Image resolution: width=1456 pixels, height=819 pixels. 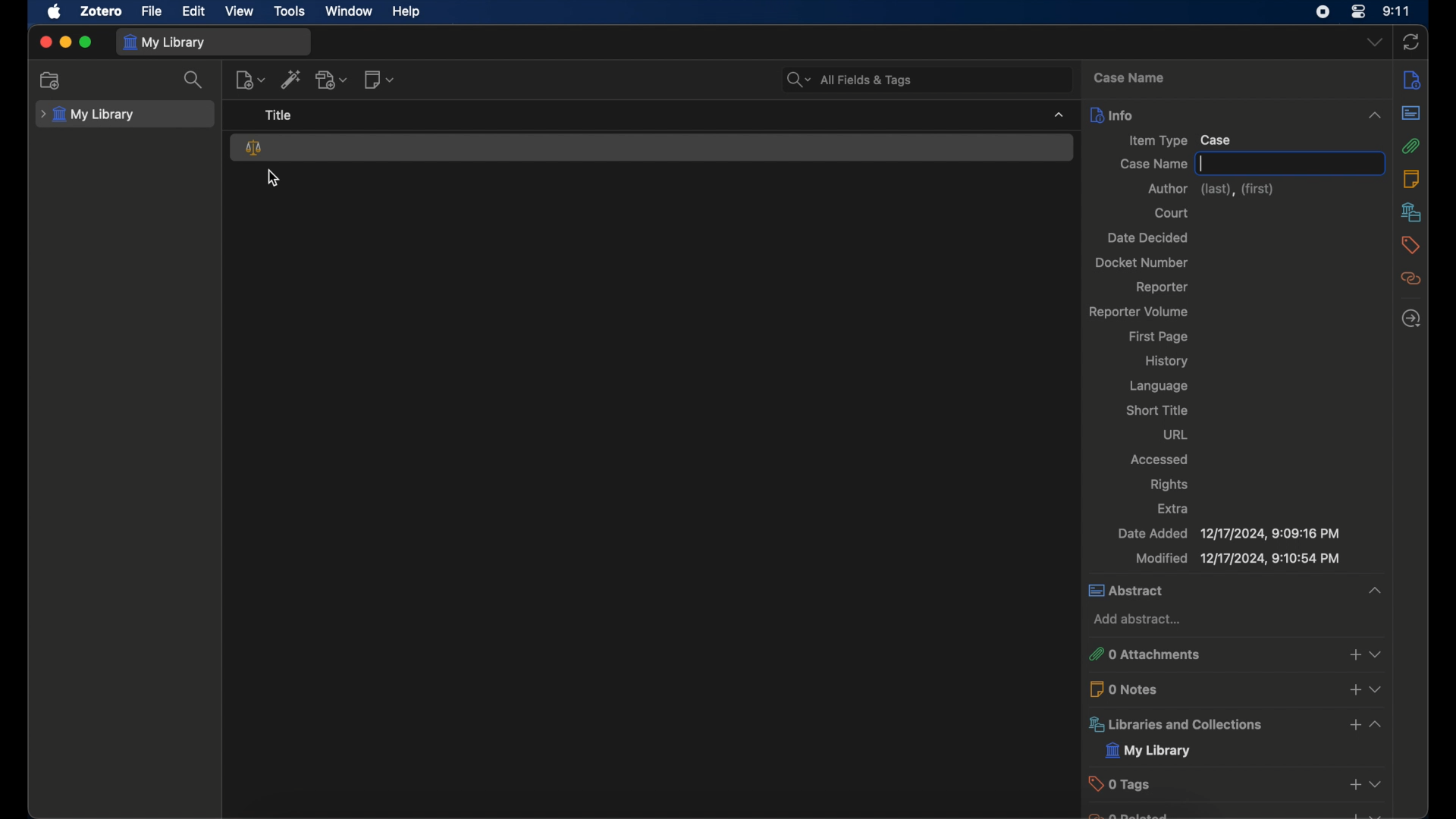 I want to click on add abstract, so click(x=1139, y=619).